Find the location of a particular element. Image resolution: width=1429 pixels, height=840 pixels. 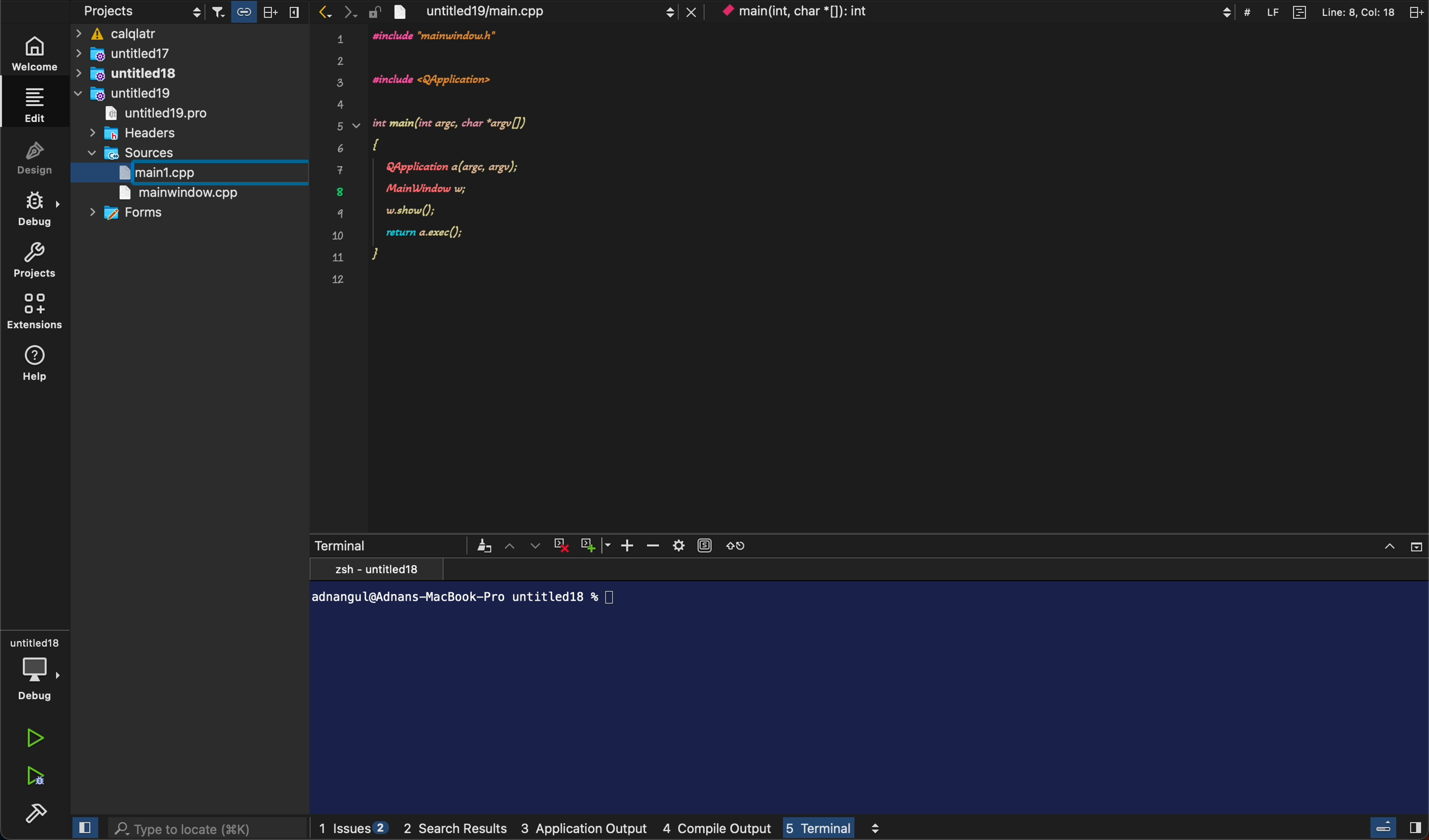

Plus is located at coordinates (630, 545).